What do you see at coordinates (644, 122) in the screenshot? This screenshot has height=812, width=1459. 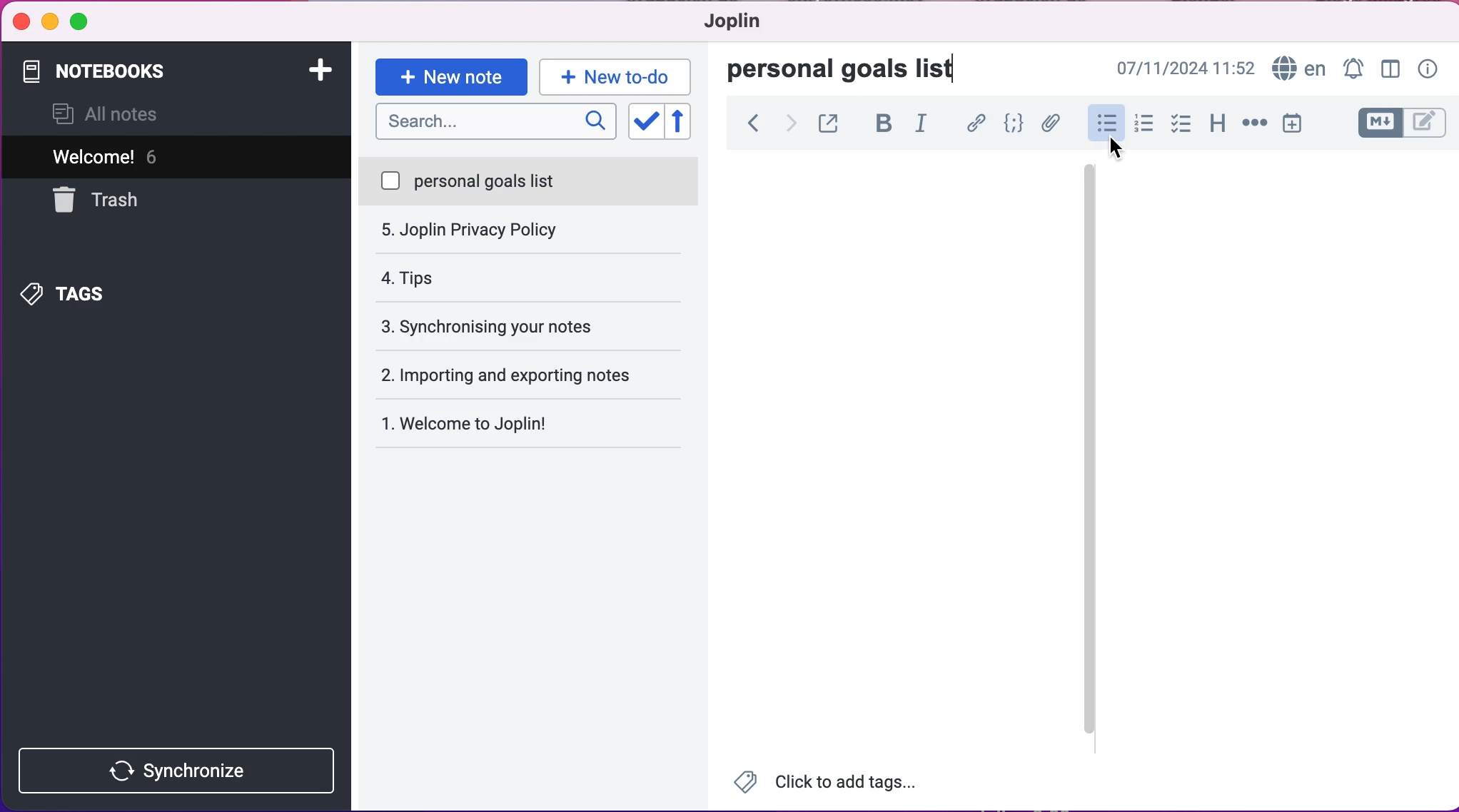 I see `toggle sort order field` at bounding box center [644, 122].